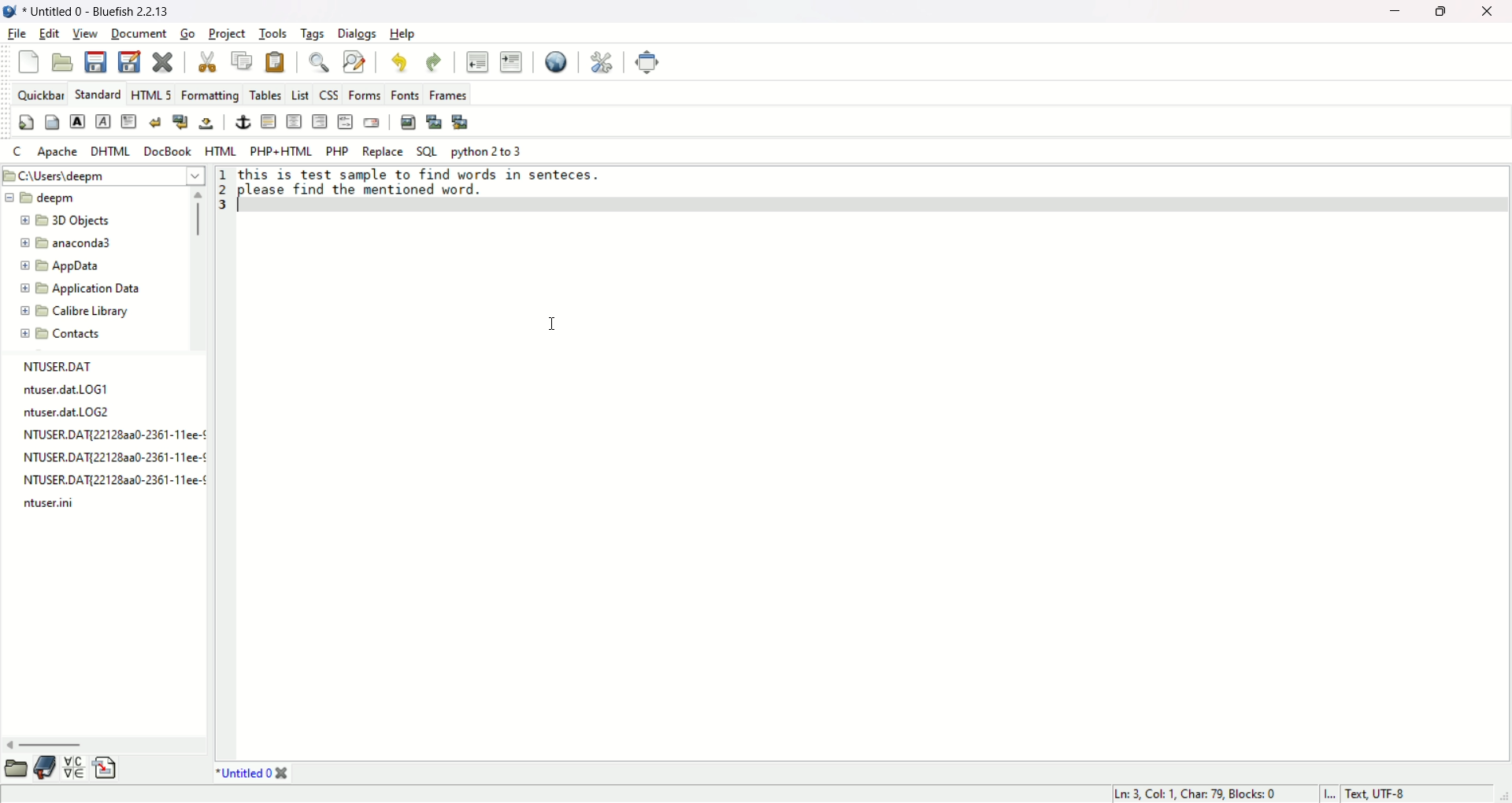 This screenshot has height=803, width=1512. Describe the element at coordinates (275, 61) in the screenshot. I see `paste` at that location.